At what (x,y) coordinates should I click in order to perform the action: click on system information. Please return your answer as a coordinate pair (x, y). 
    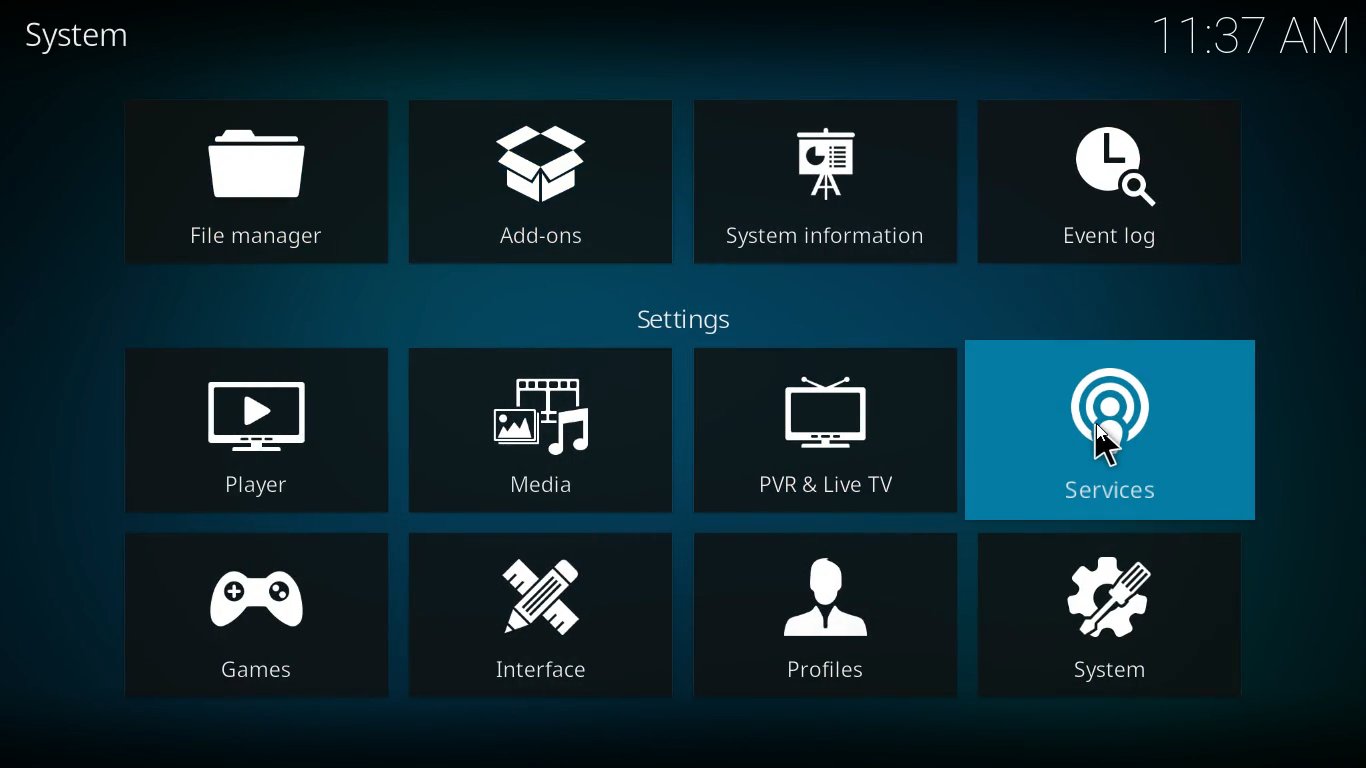
    Looking at the image, I should click on (827, 180).